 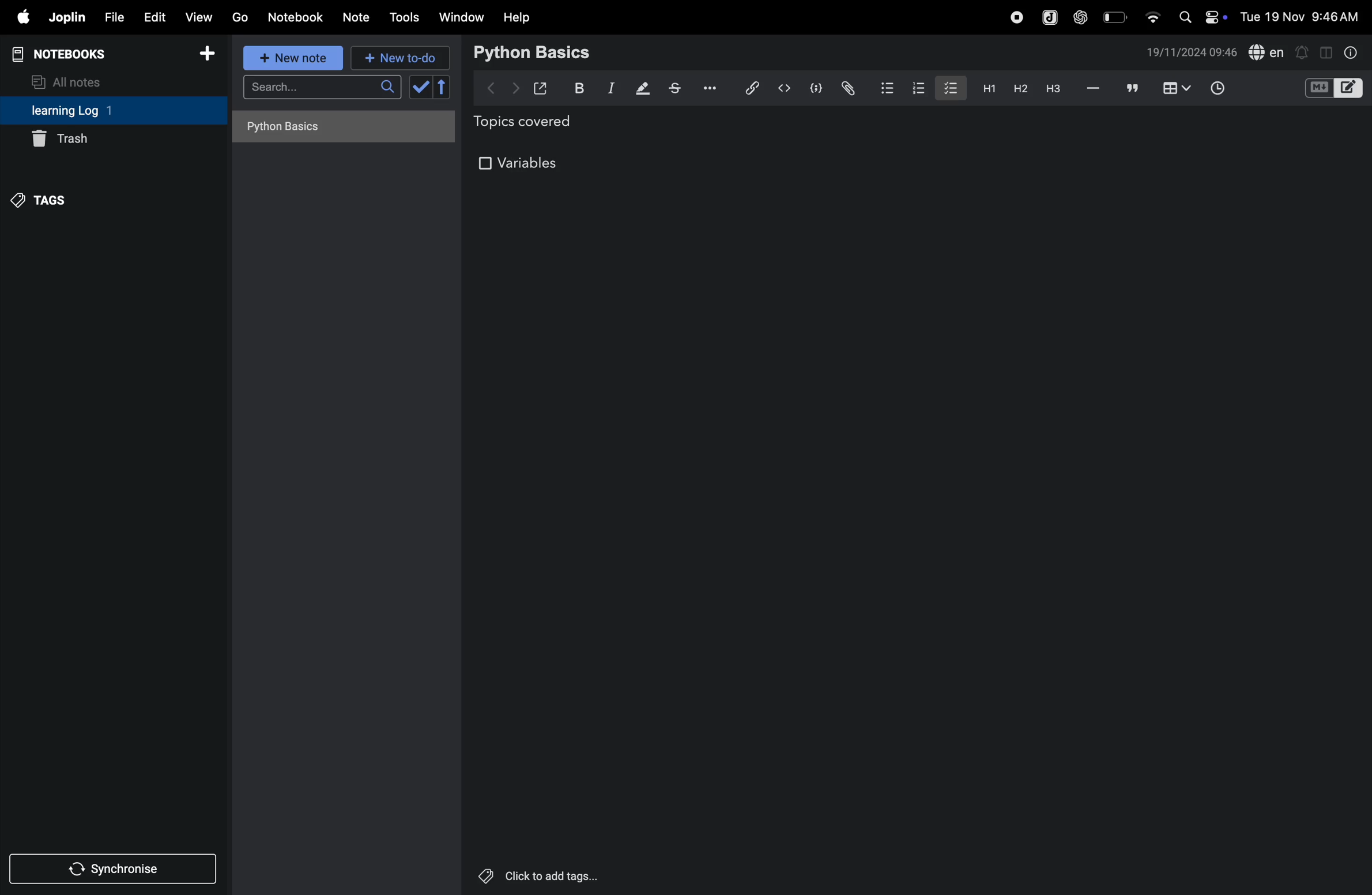 What do you see at coordinates (886, 86) in the screenshot?
I see `bullet list` at bounding box center [886, 86].